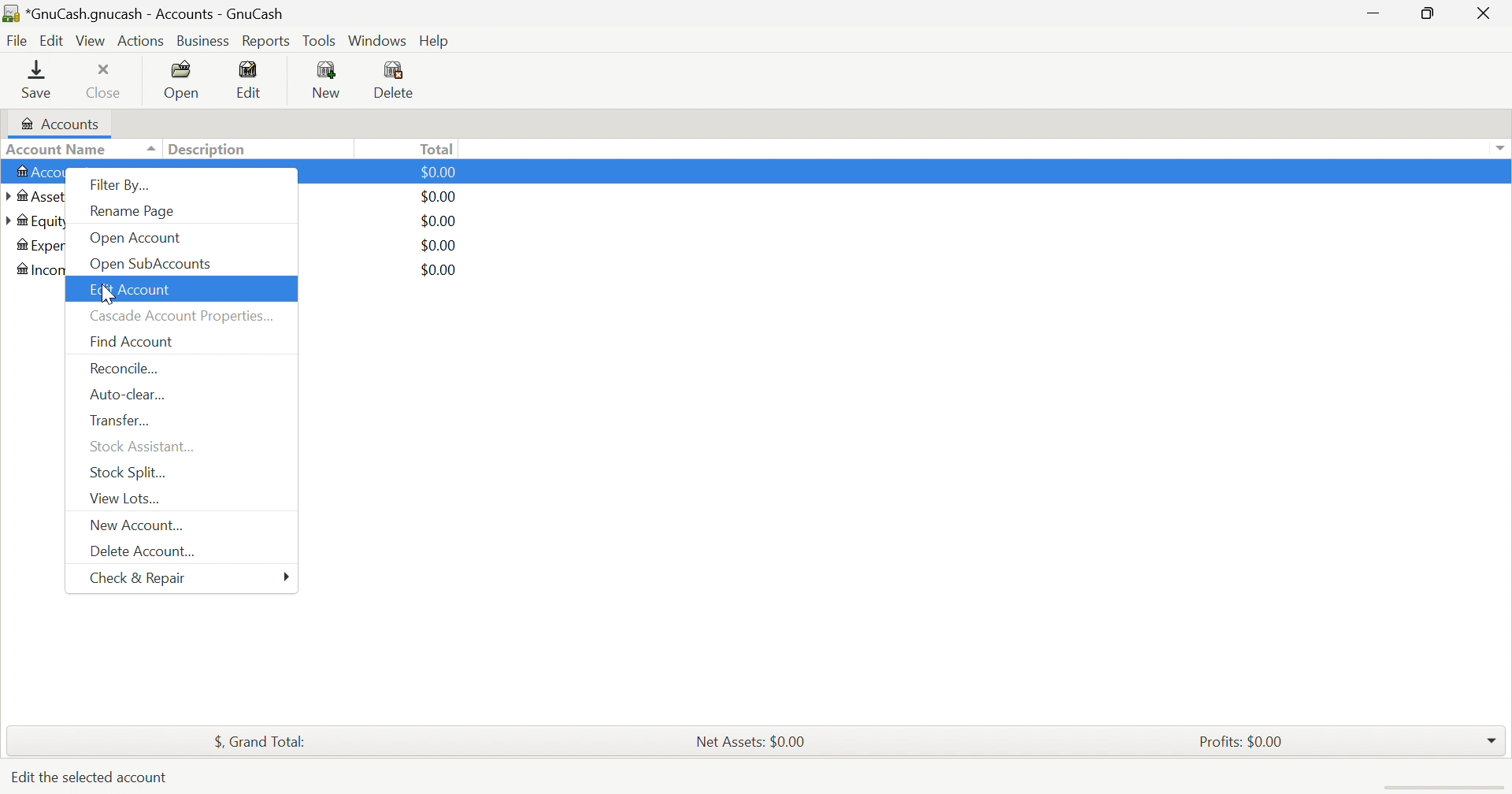 This screenshot has width=1512, height=794. I want to click on View, so click(91, 41).